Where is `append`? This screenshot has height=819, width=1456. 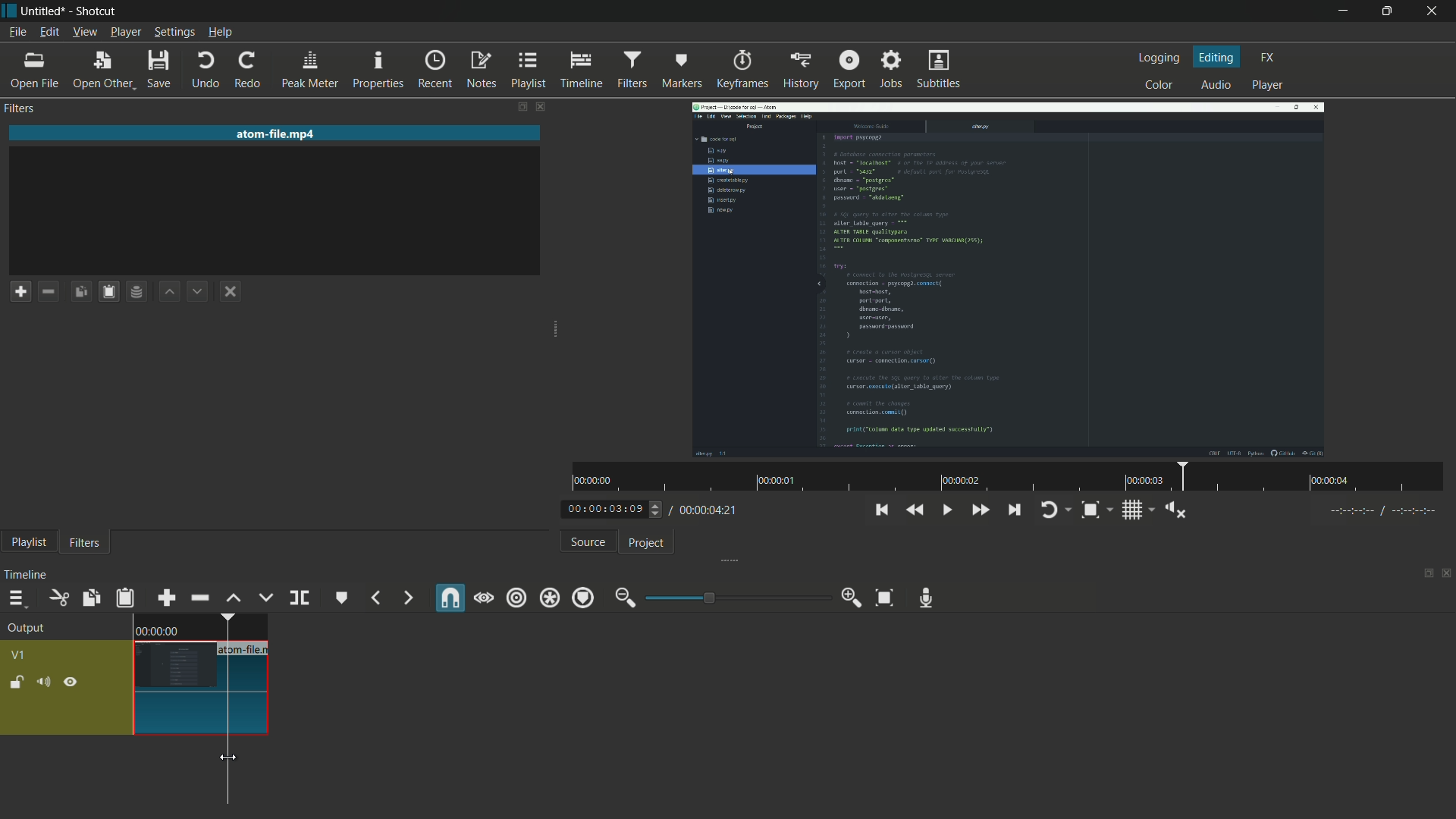
append is located at coordinates (168, 598).